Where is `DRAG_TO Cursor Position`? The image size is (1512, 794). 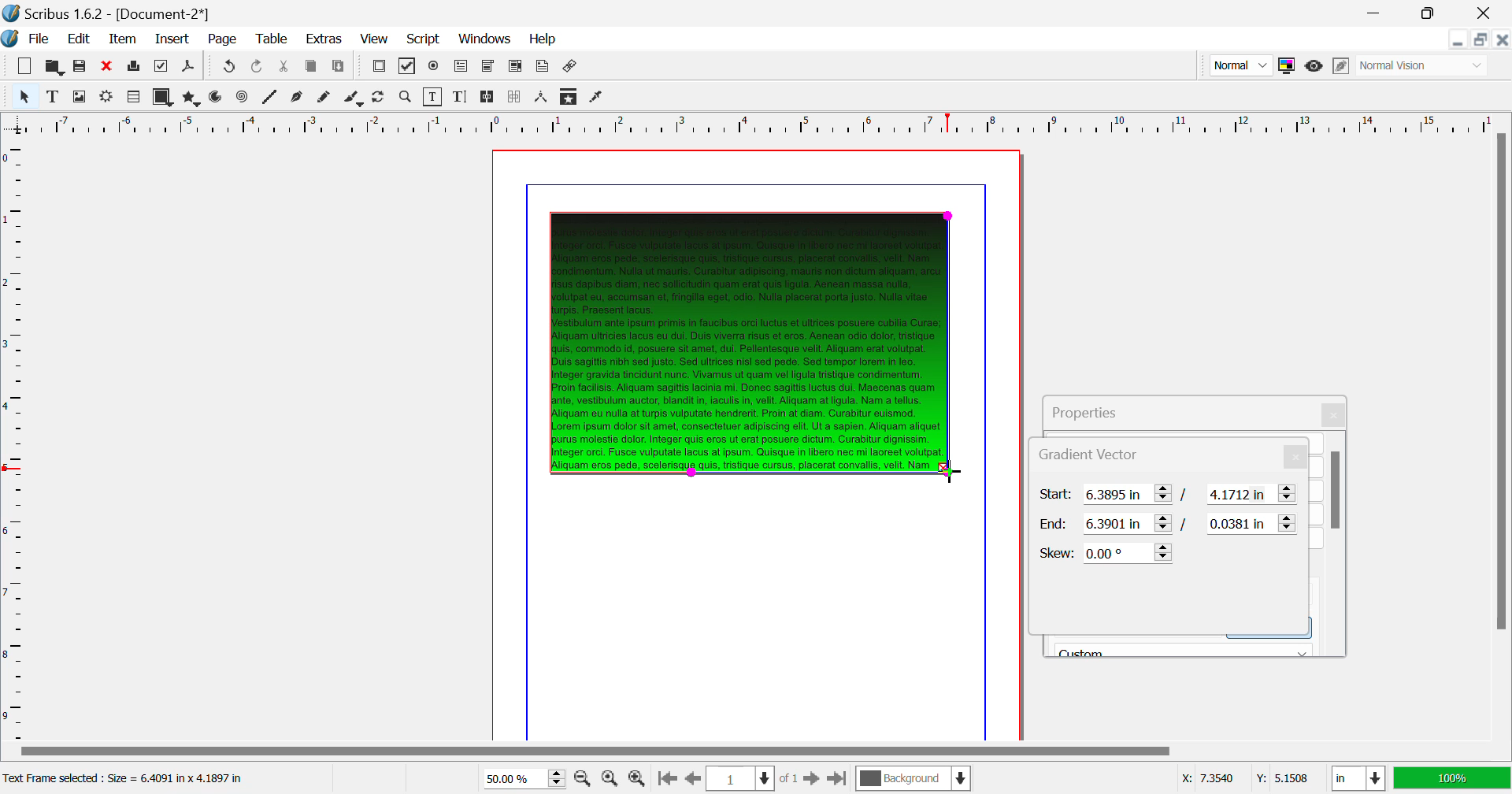 DRAG_TO Cursor Position is located at coordinates (951, 472).